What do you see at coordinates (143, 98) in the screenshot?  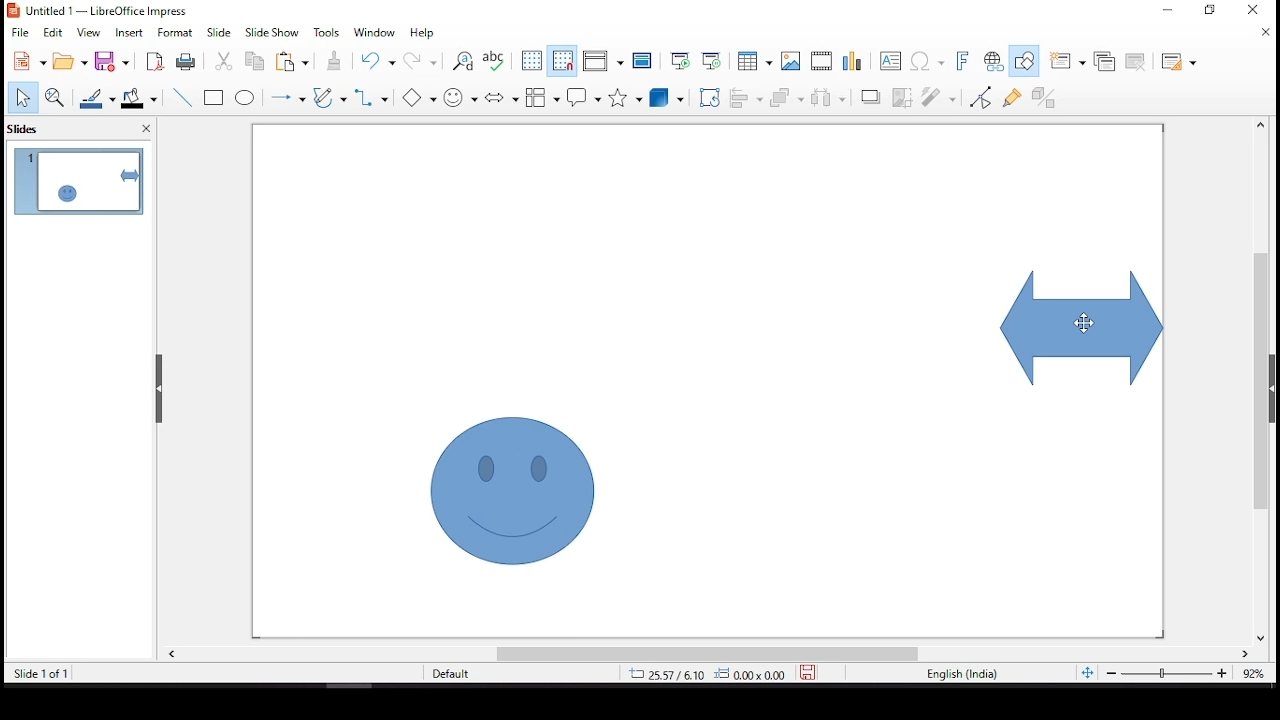 I see `fill color` at bounding box center [143, 98].